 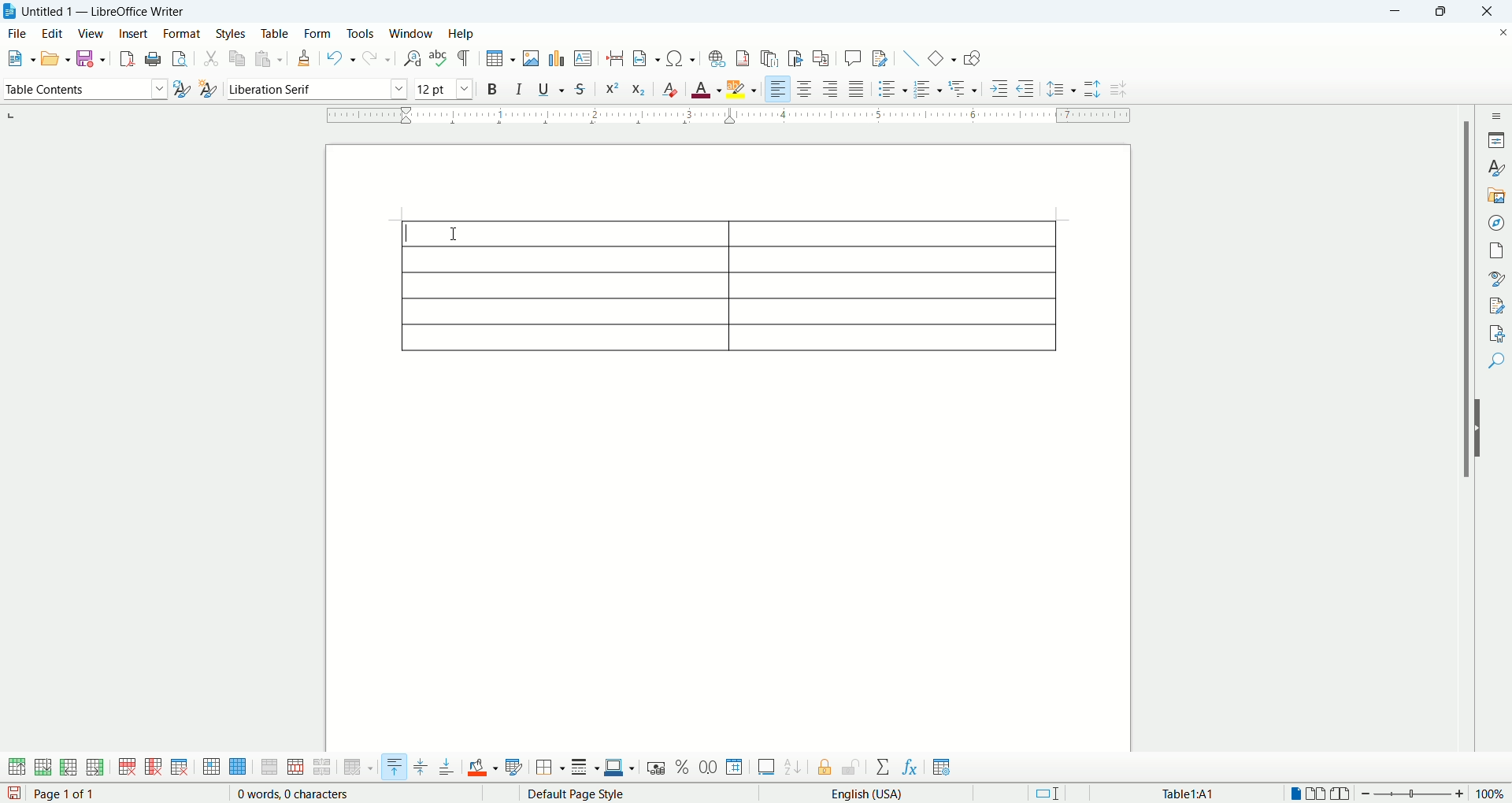 What do you see at coordinates (465, 57) in the screenshot?
I see `formatting mask` at bounding box center [465, 57].